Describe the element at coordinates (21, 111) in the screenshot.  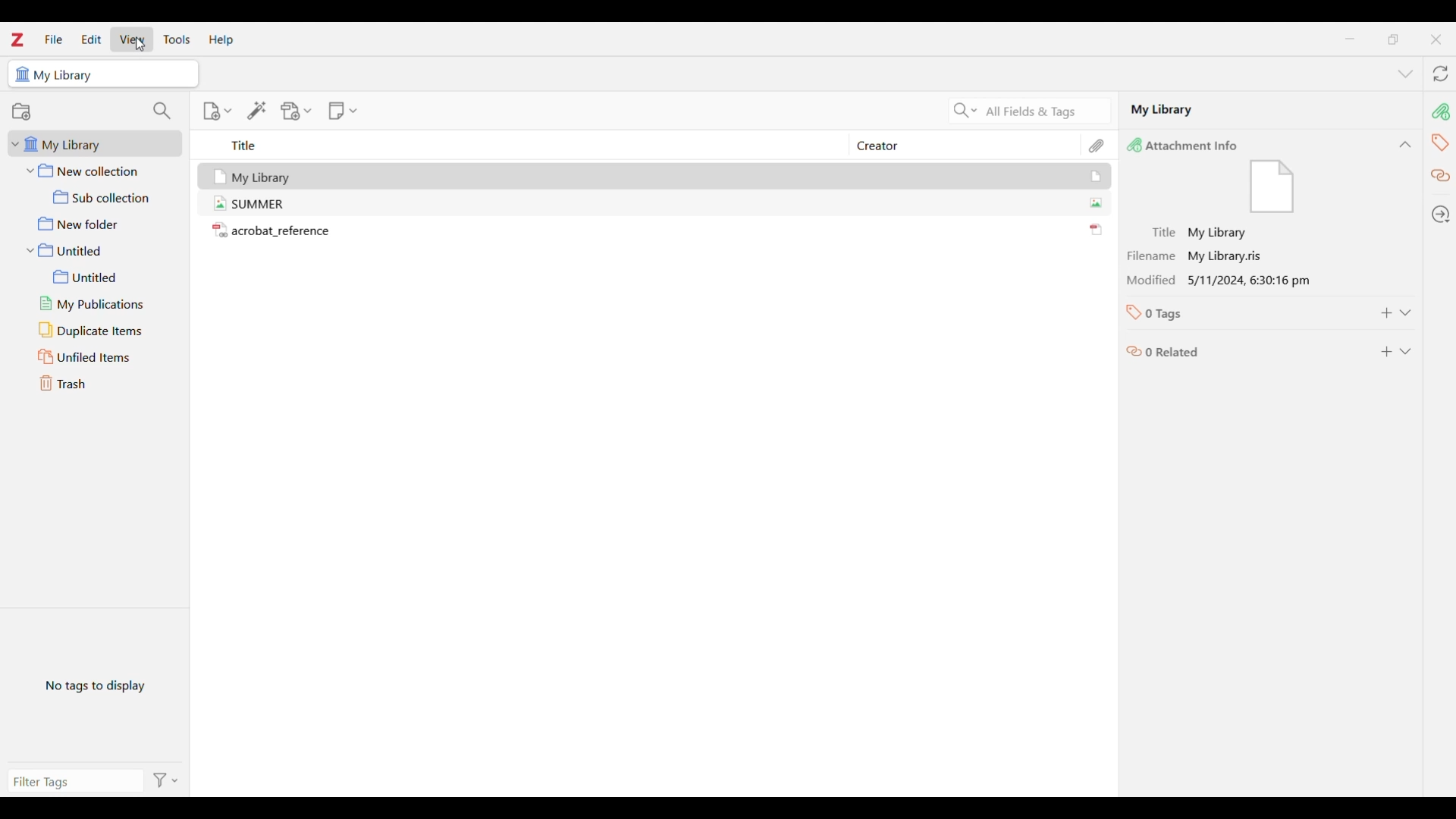
I see `Add new collection` at that location.